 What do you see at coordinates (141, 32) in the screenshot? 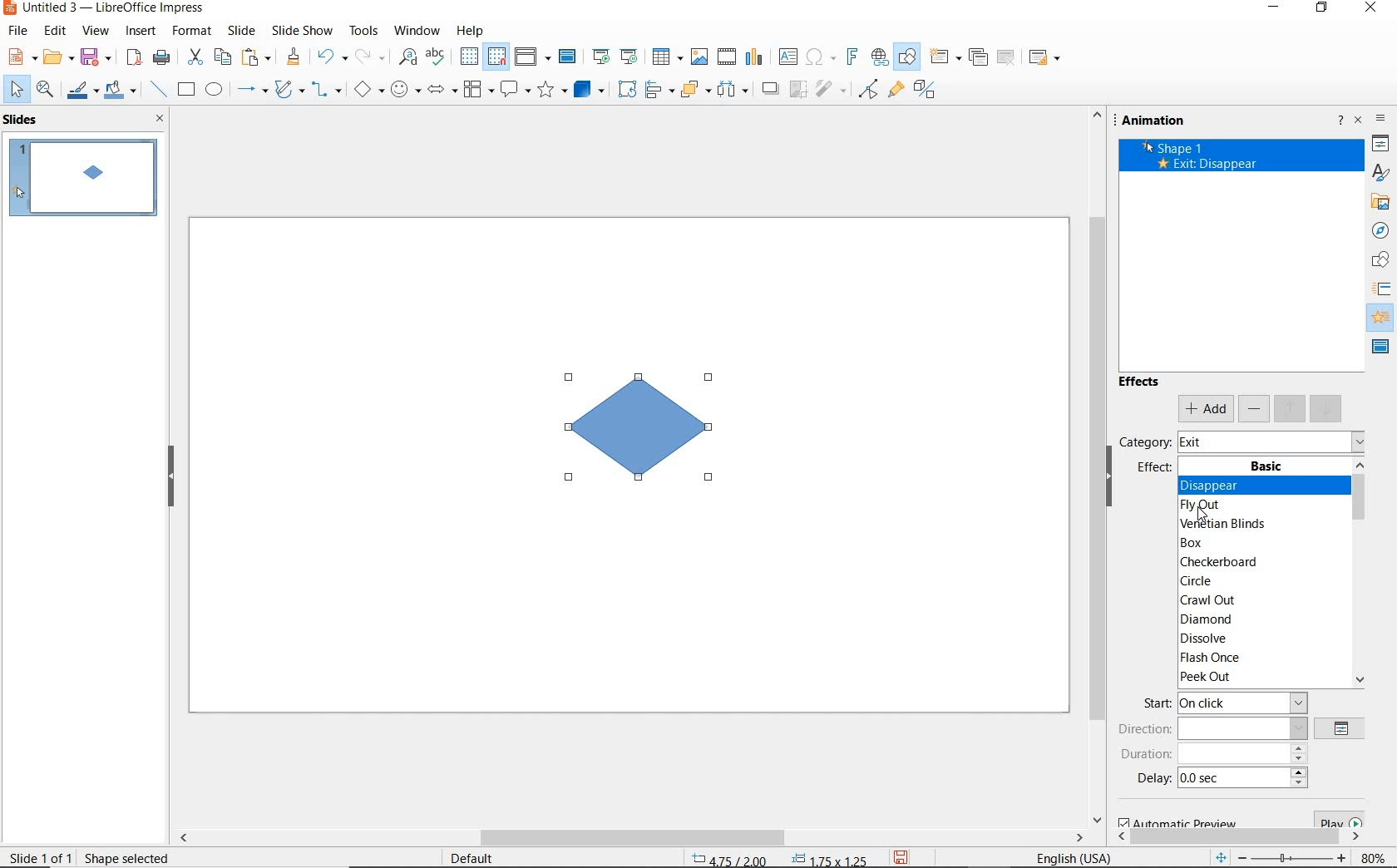
I see `insert` at bounding box center [141, 32].